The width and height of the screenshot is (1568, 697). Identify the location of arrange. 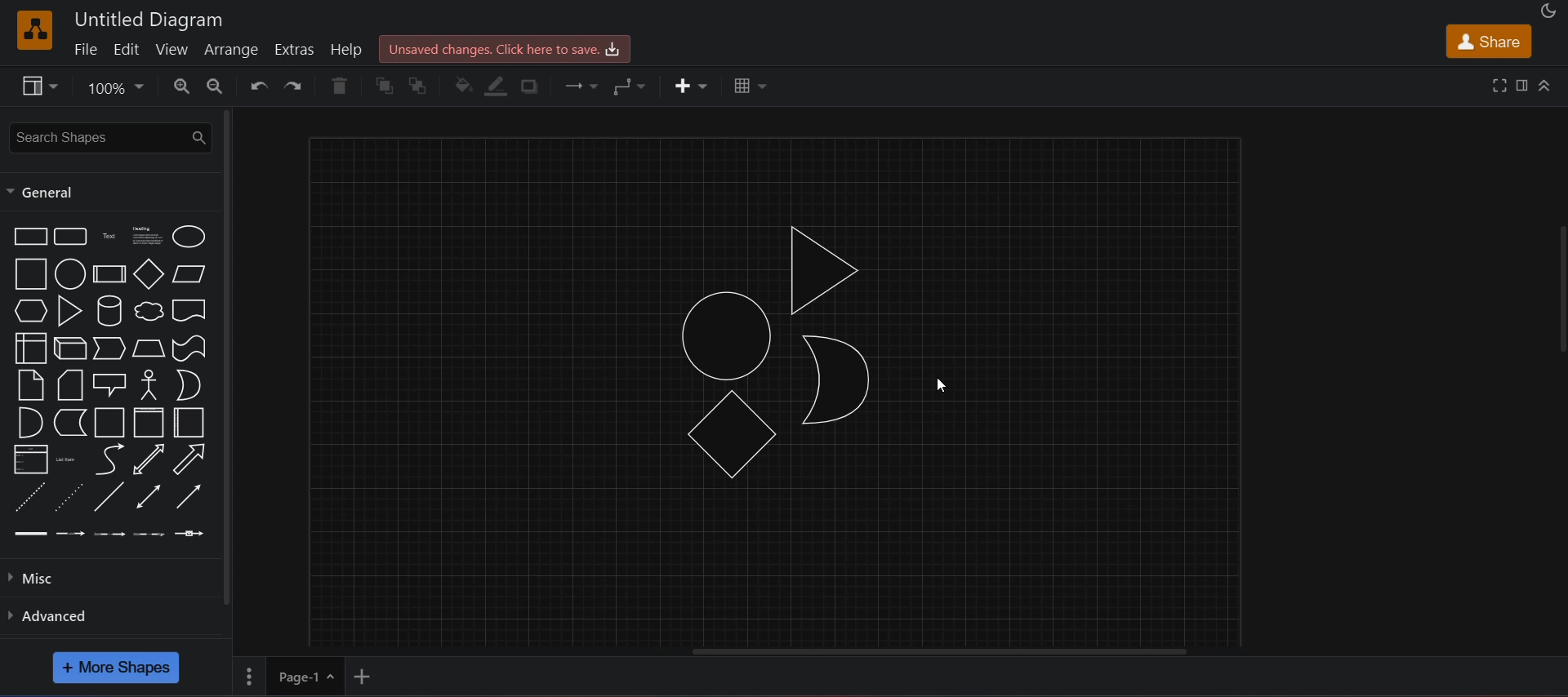
(234, 49).